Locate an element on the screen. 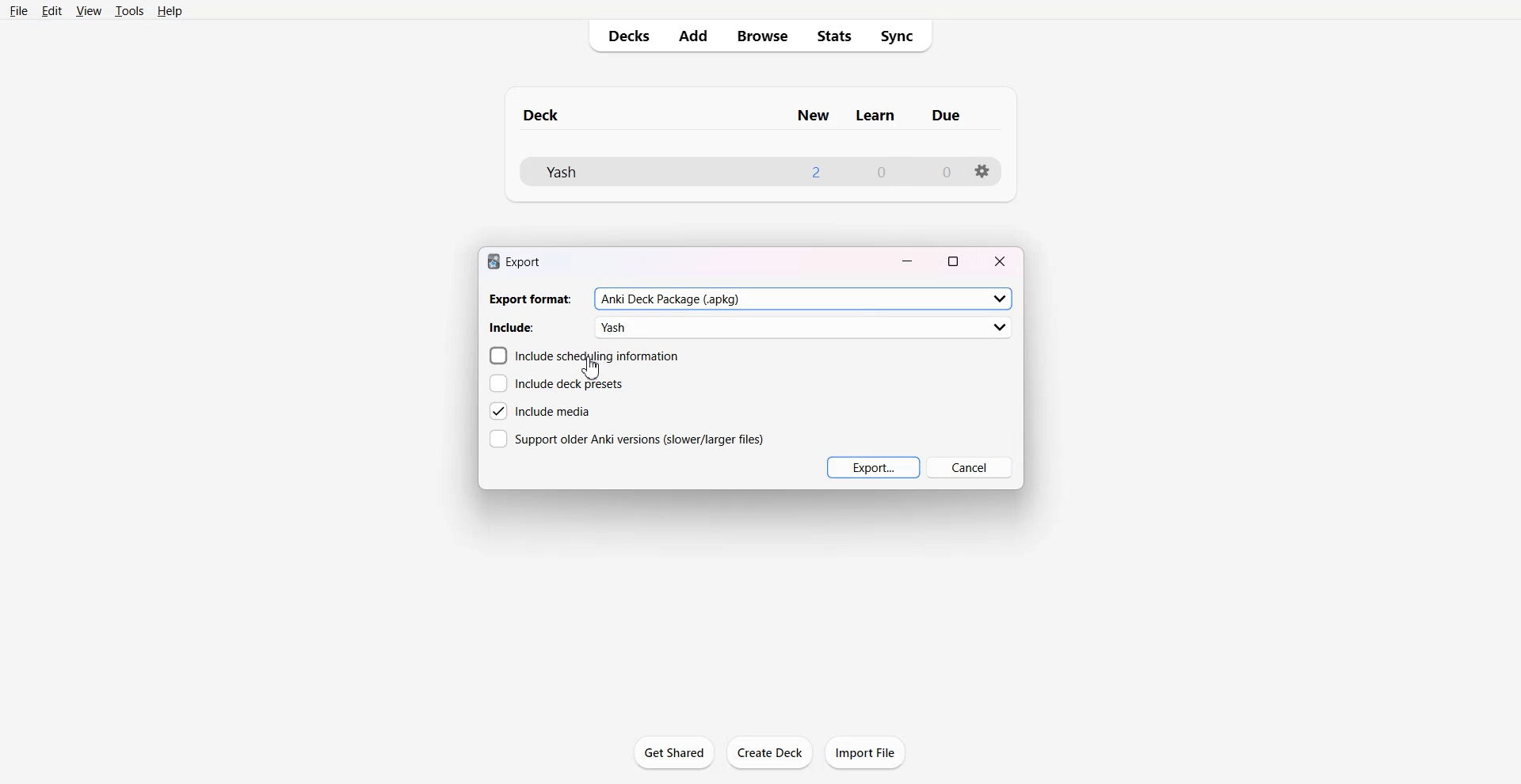 The image size is (1521, 784). Include scheduling information is located at coordinates (583, 356).